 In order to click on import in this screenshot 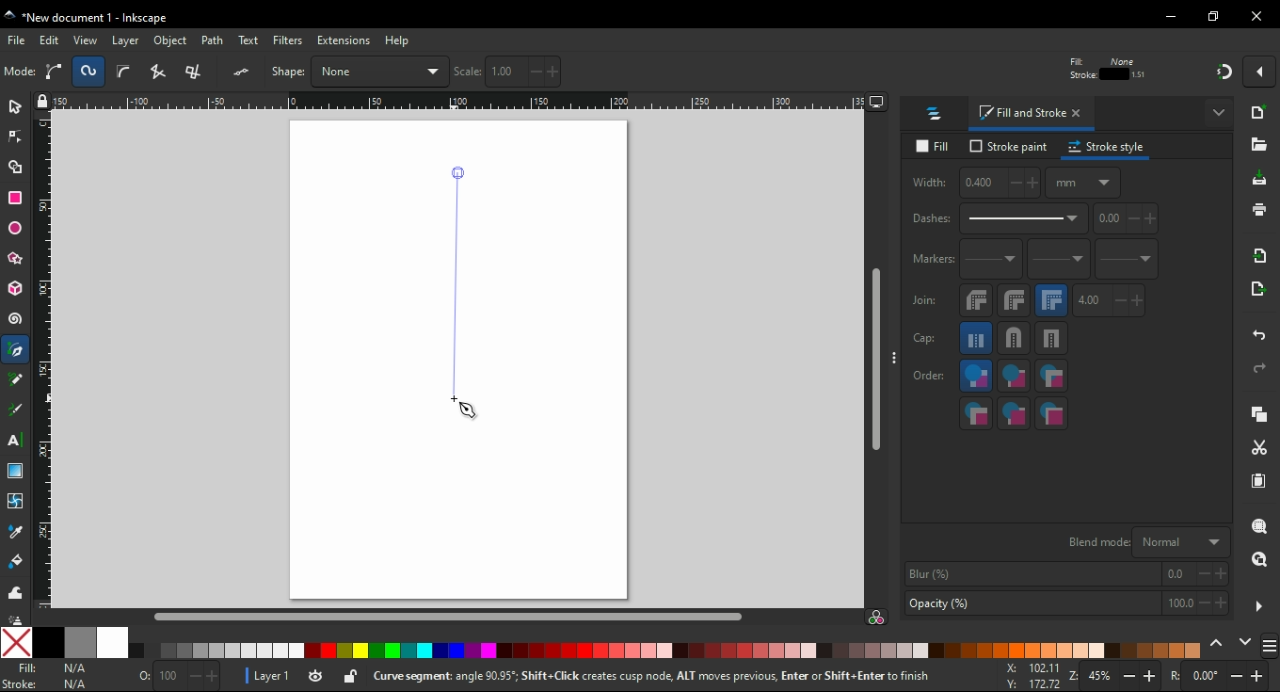, I will do `click(1261, 255)`.